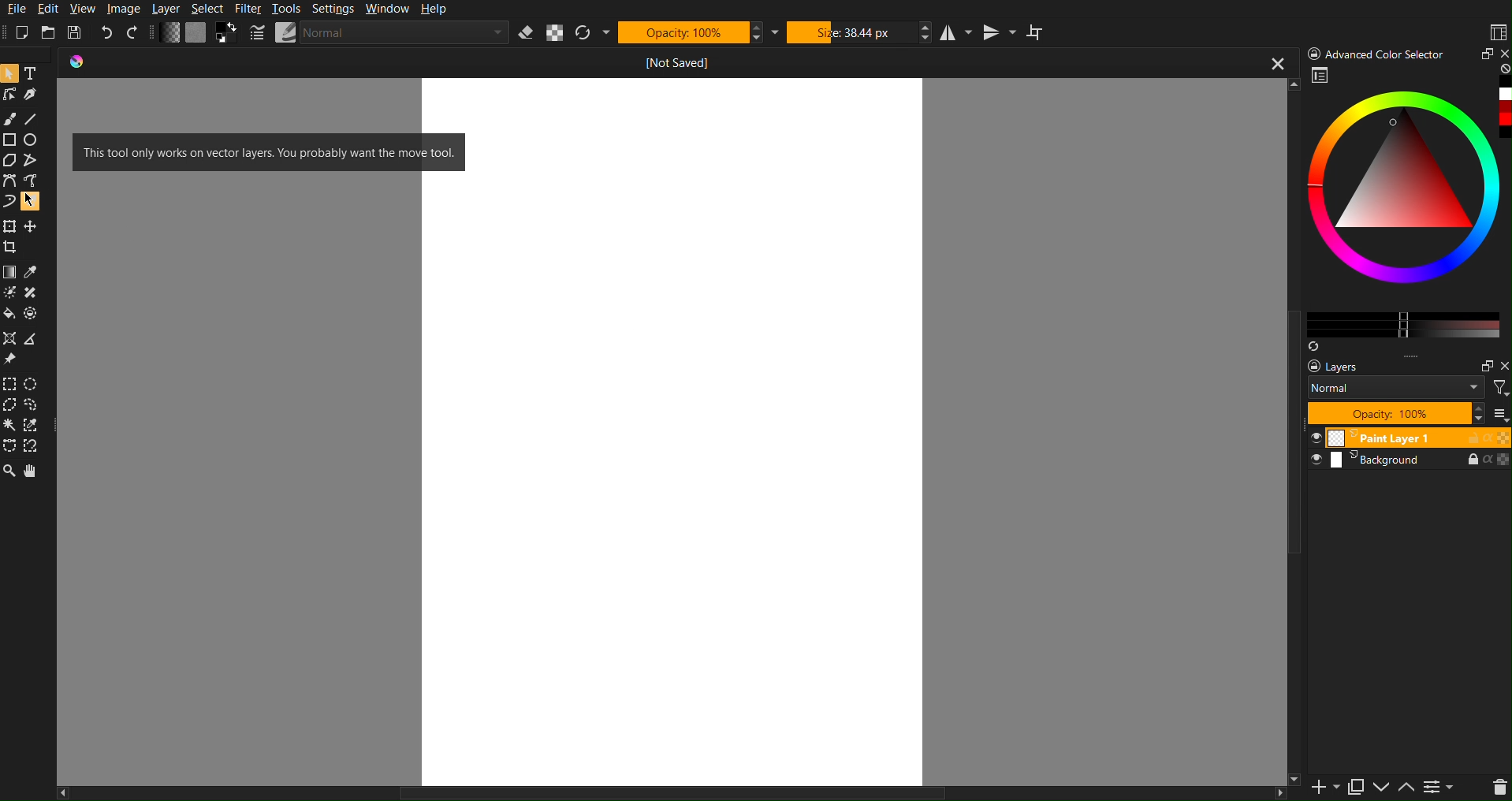 The height and width of the screenshot is (801, 1512). I want to click on Normal, so click(1396, 387).